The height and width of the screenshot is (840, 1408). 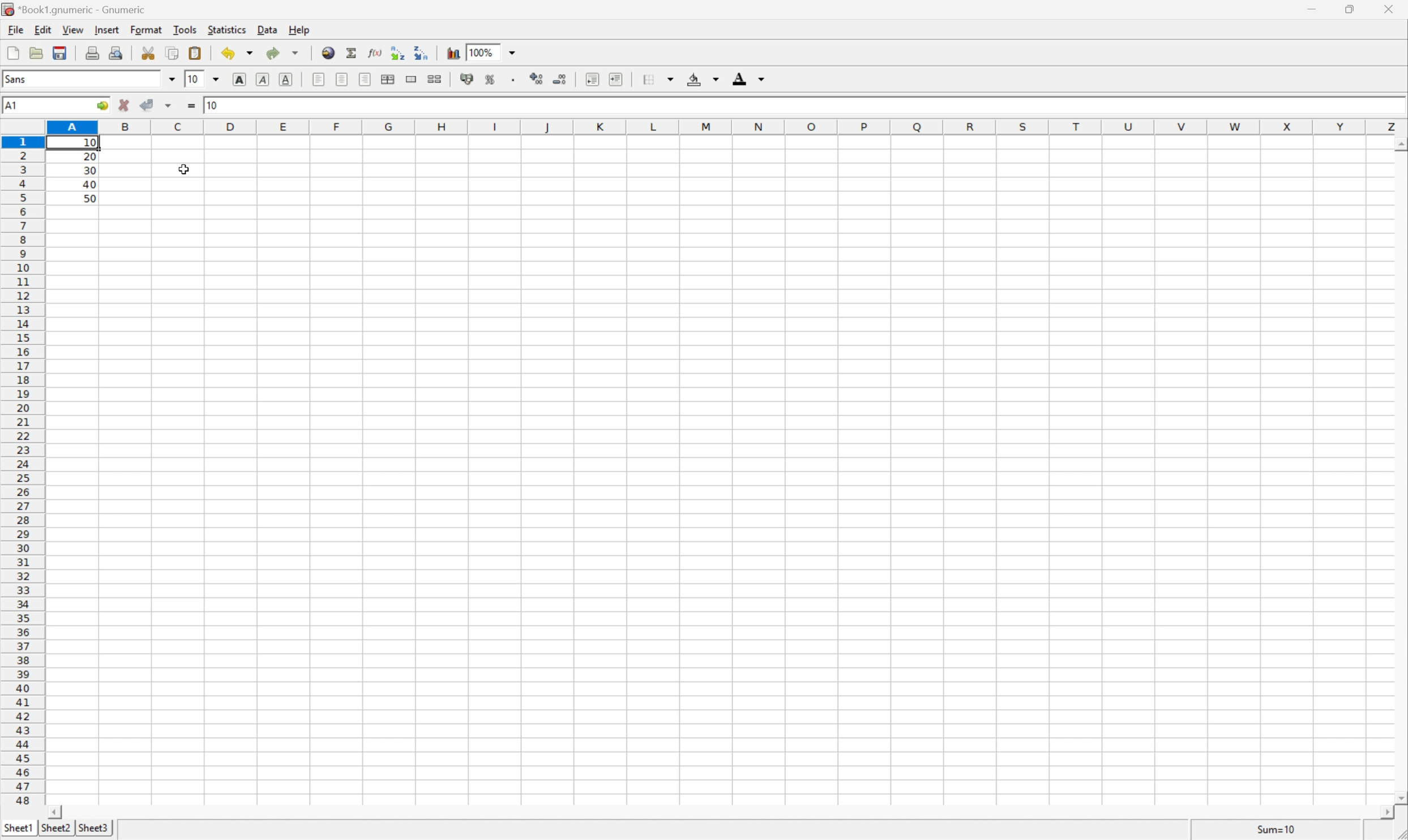 I want to click on Open a file, so click(x=38, y=51).